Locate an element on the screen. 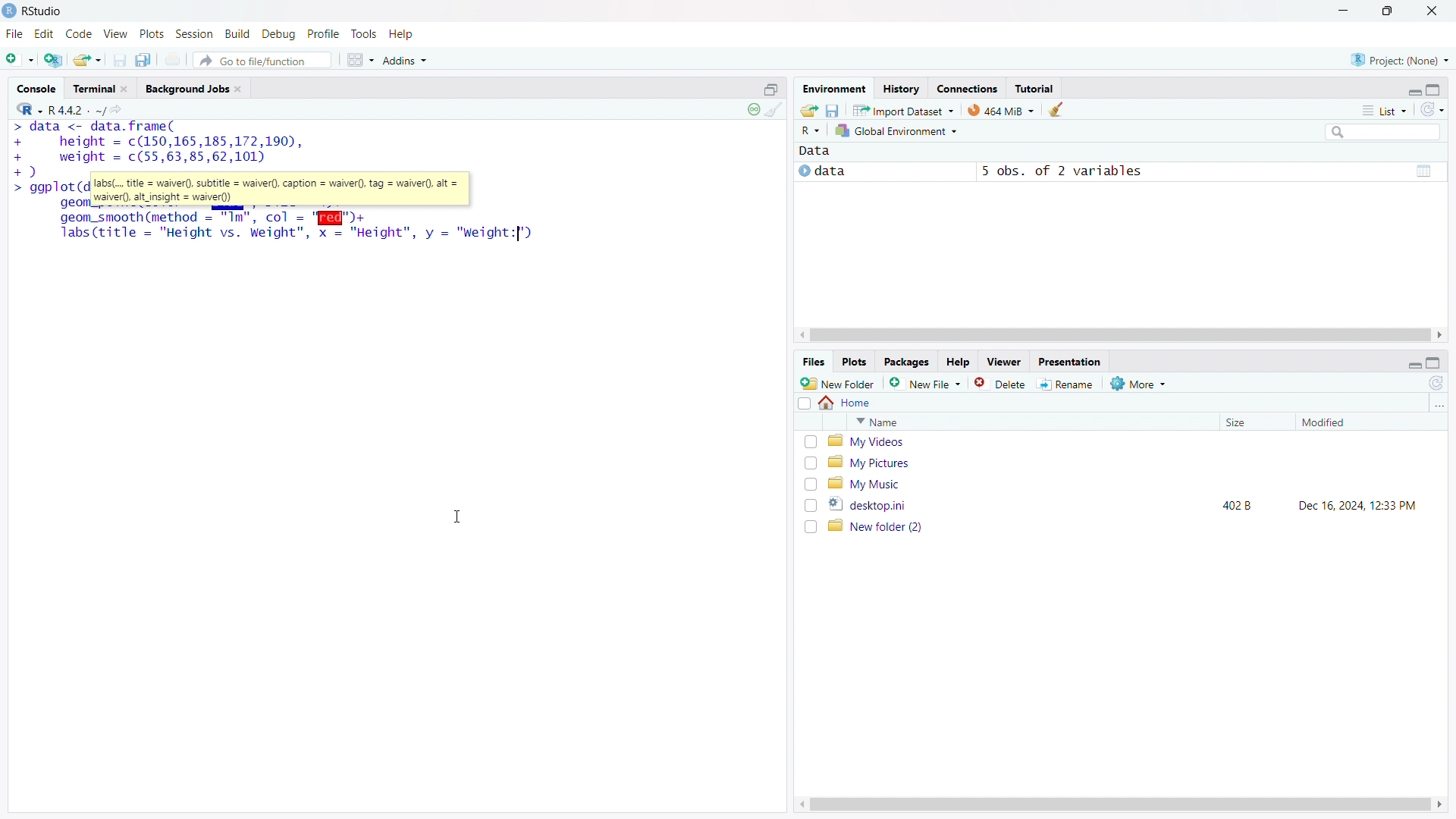  > data <- data.trame( is located at coordinates (93, 127).